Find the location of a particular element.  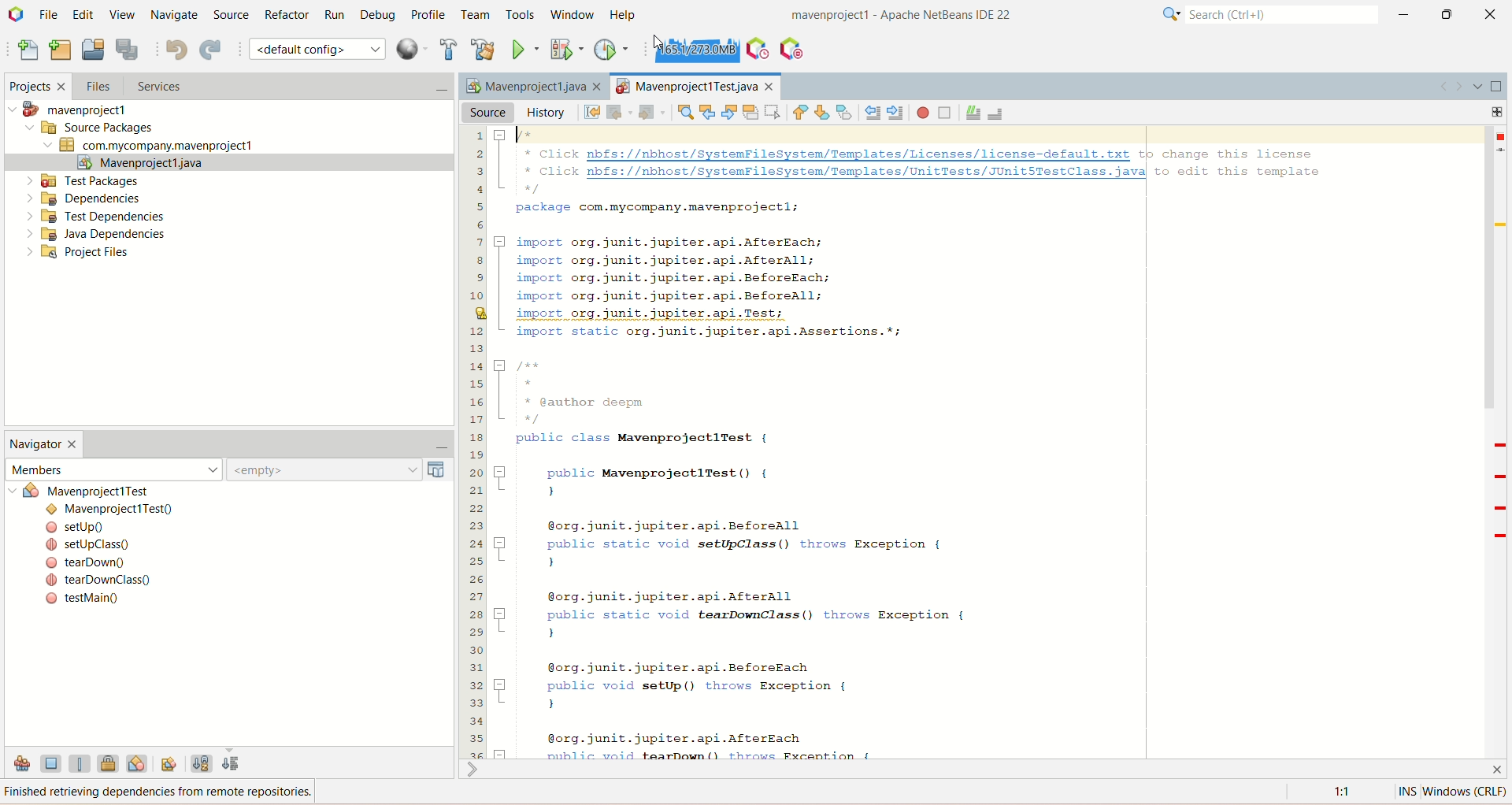

uncomment is located at coordinates (997, 113).